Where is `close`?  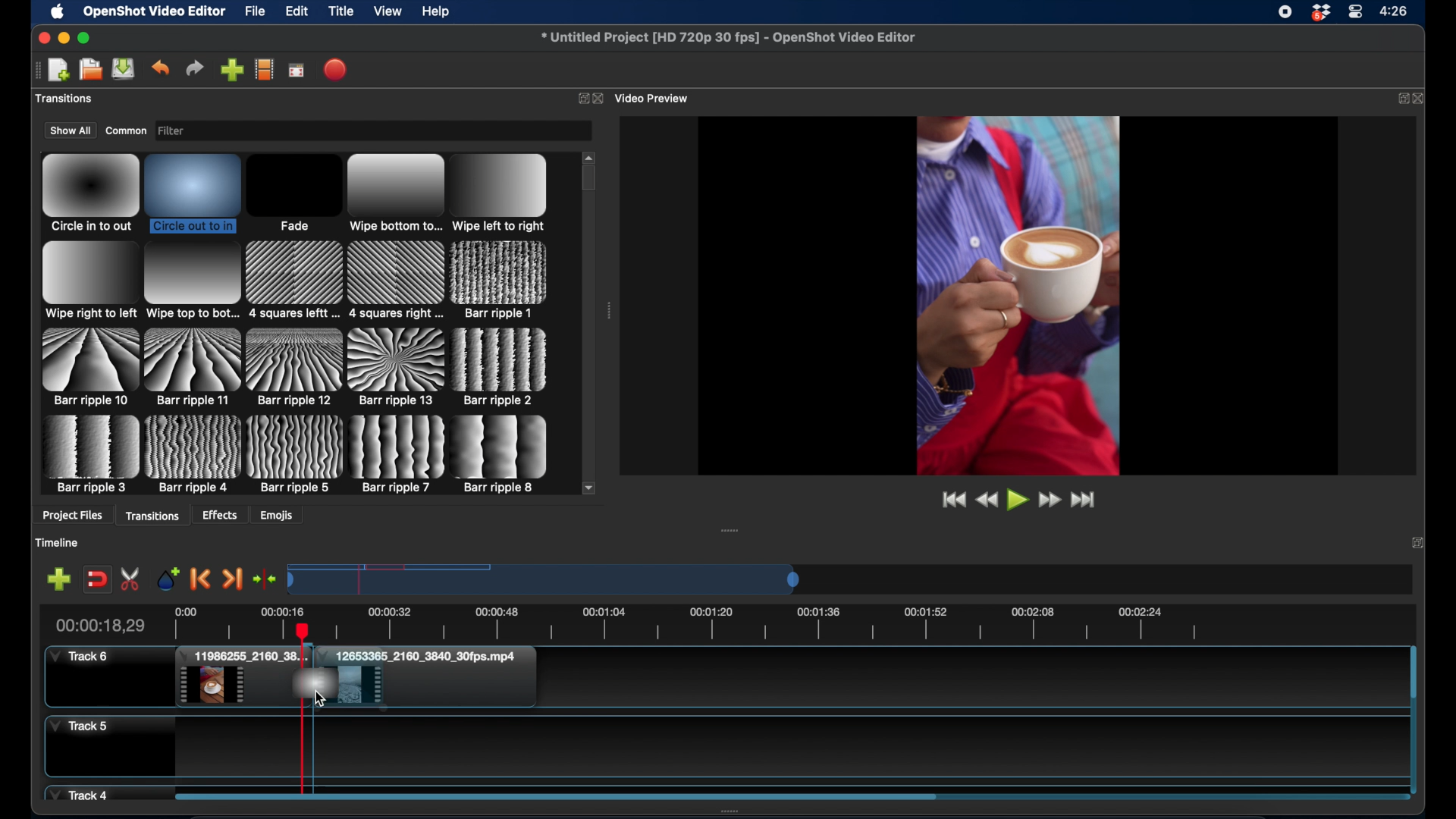
close is located at coordinates (41, 37).